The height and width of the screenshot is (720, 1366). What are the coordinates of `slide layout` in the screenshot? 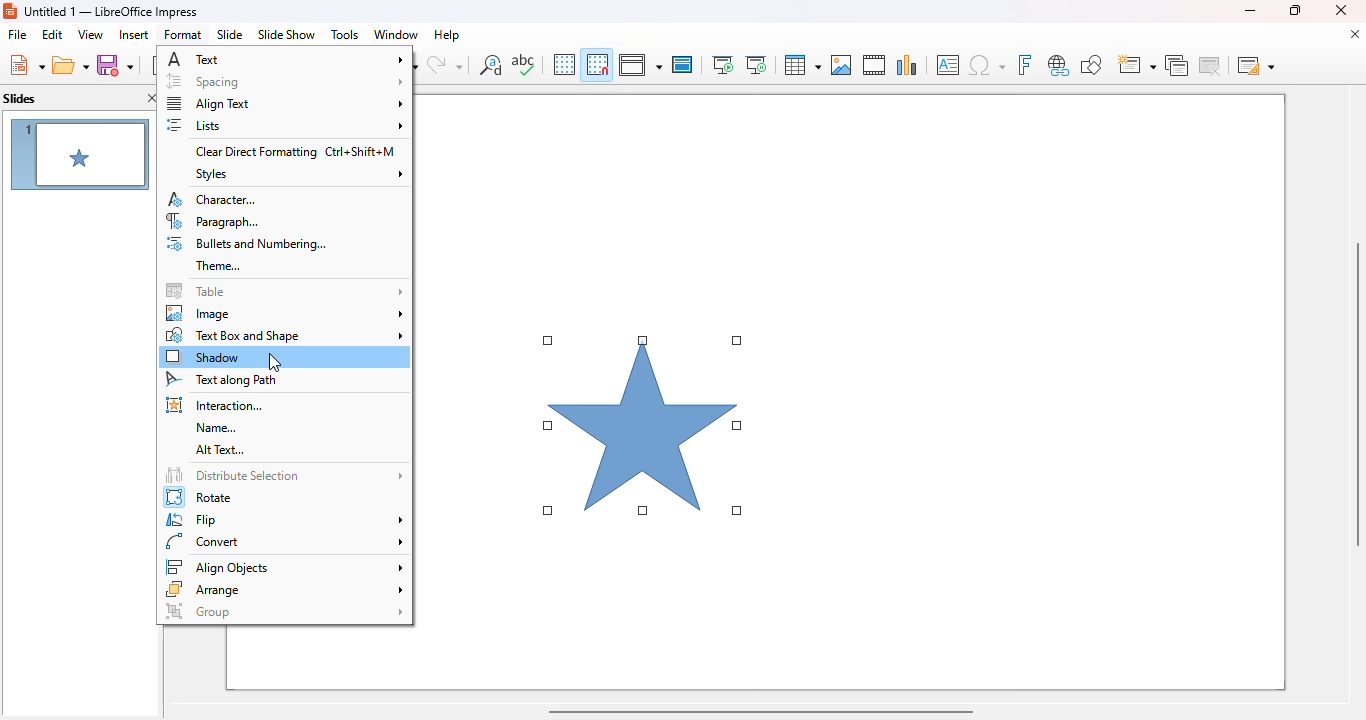 It's located at (1256, 65).